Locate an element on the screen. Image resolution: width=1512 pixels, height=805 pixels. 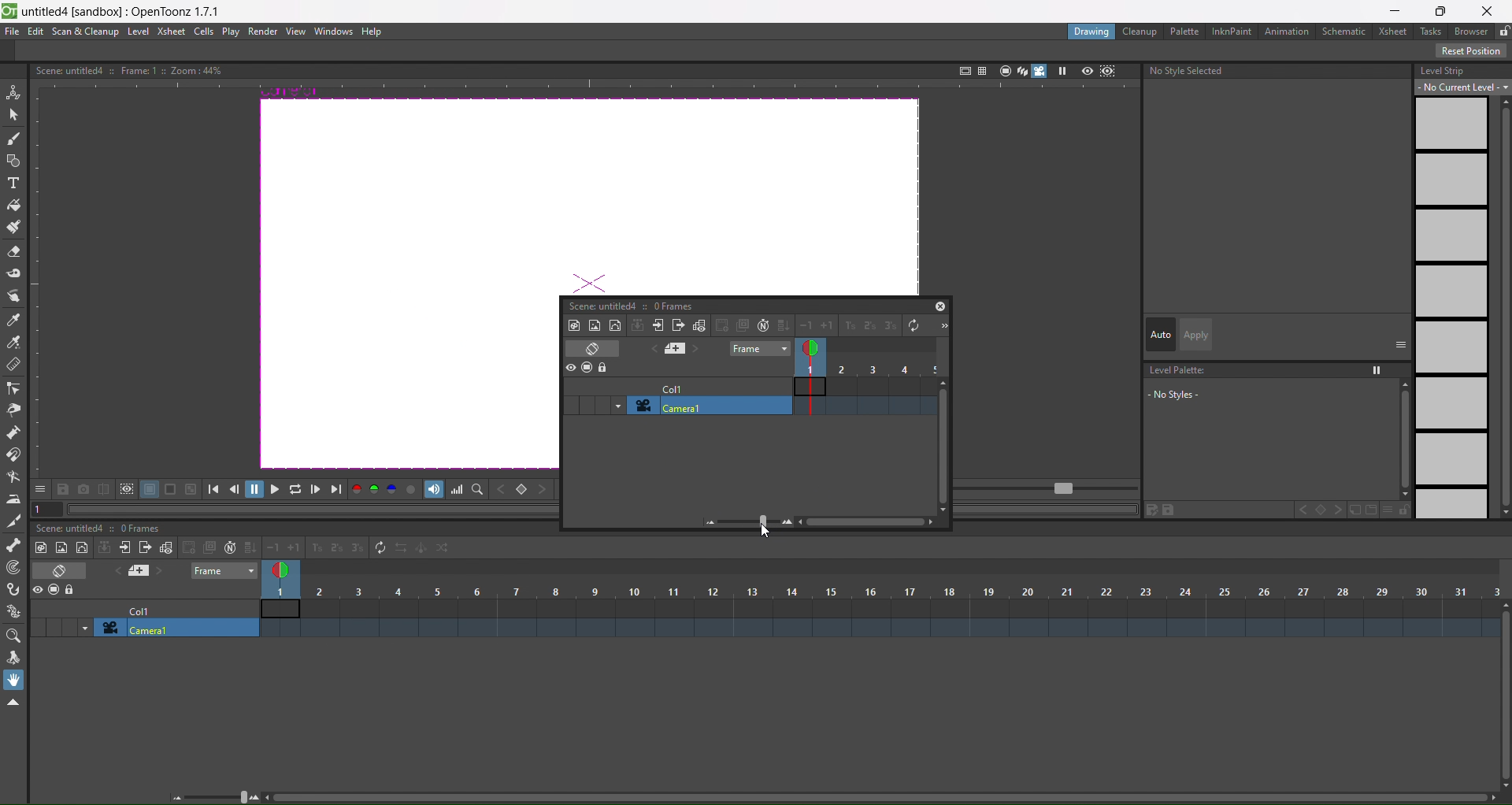
close subsheet is located at coordinates (679, 325).